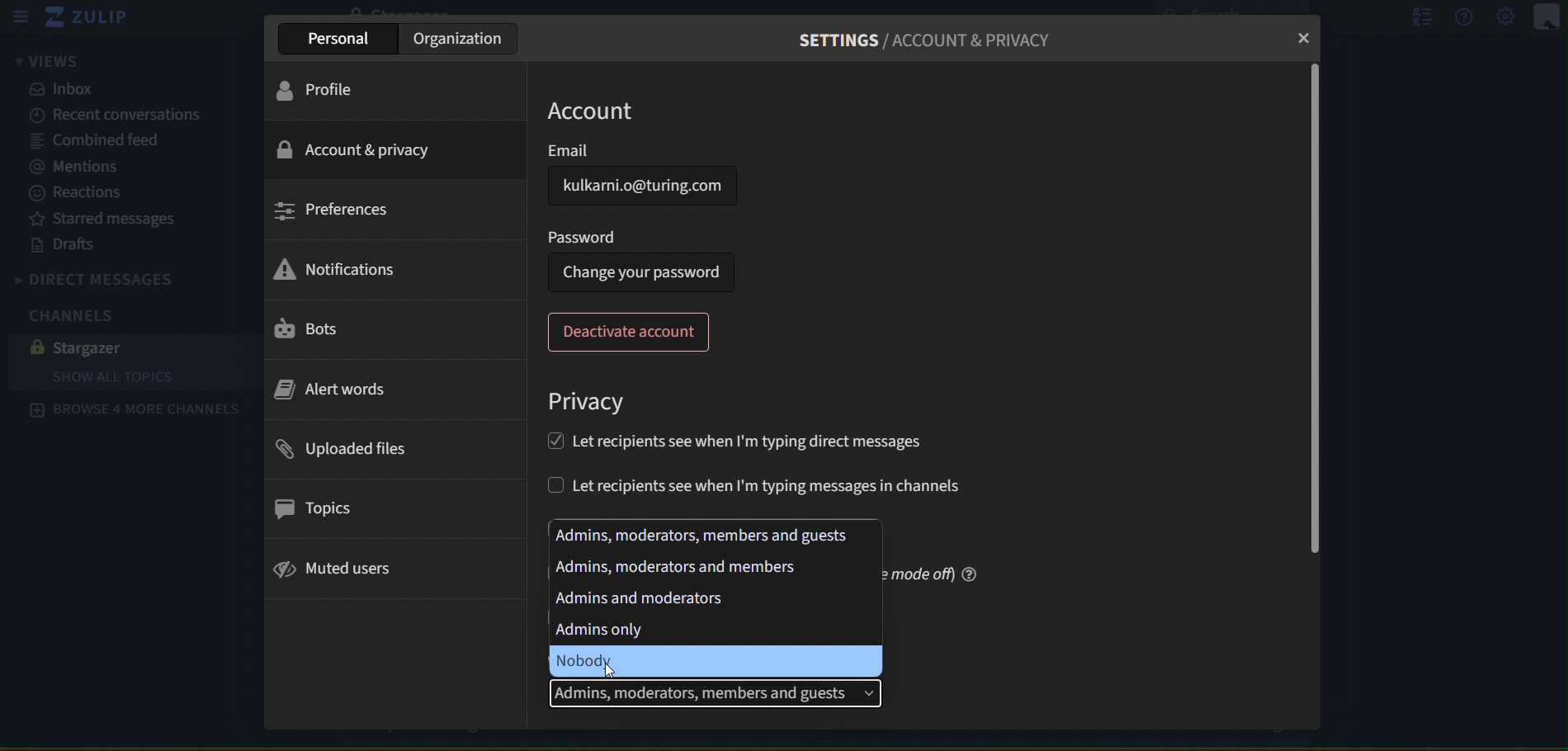 The width and height of the screenshot is (1568, 751). I want to click on channels, so click(83, 314).